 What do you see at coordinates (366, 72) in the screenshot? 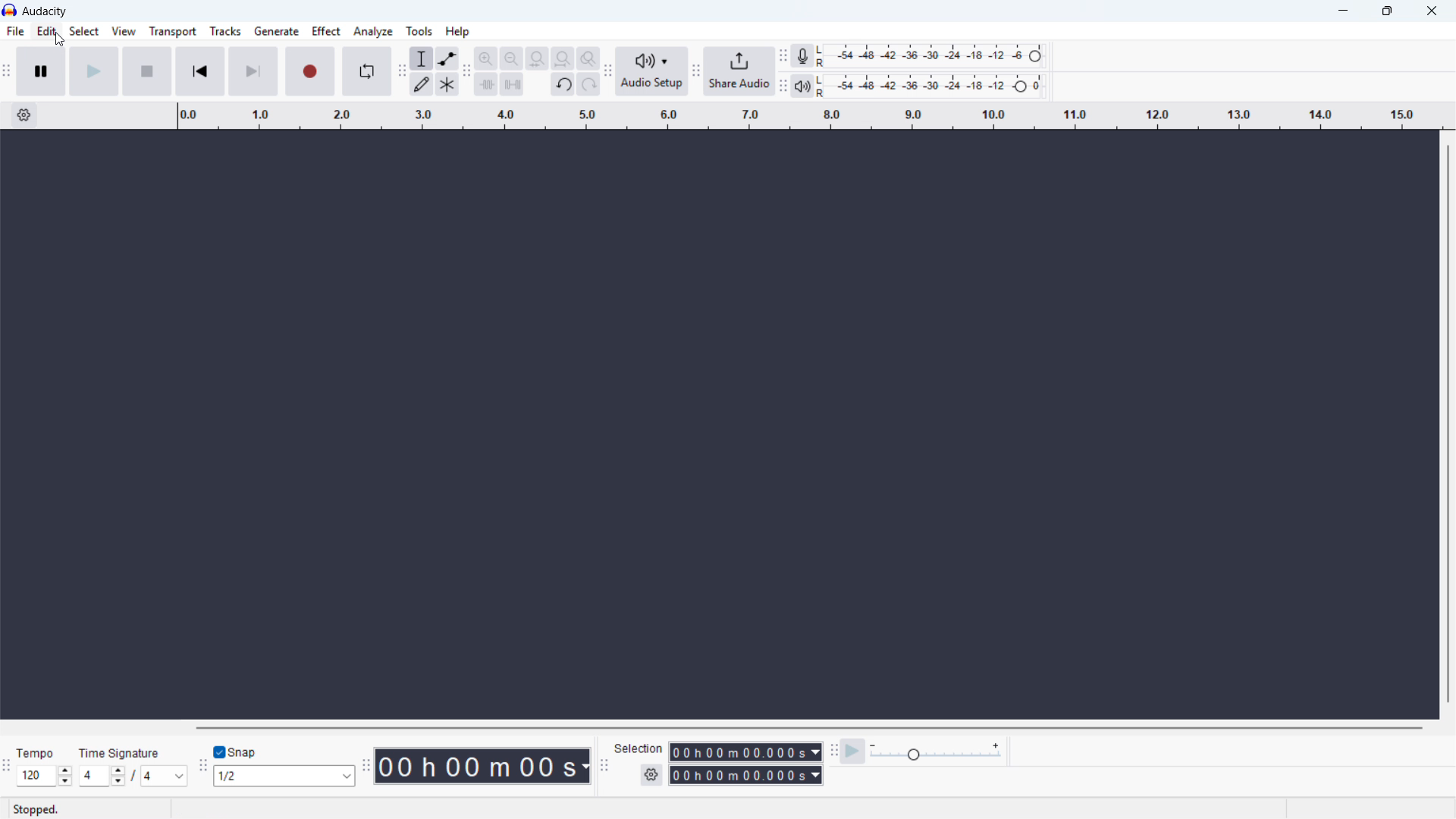
I see `enable loop` at bounding box center [366, 72].